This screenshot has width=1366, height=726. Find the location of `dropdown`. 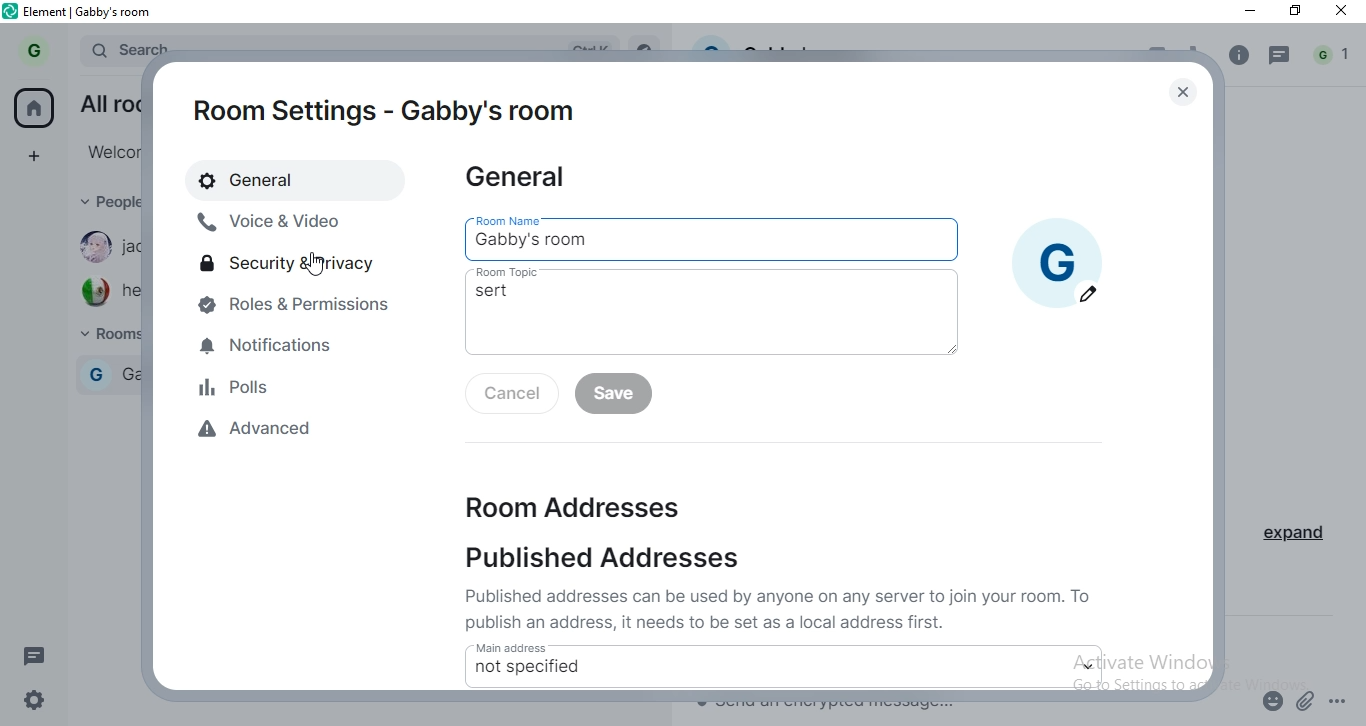

dropdown is located at coordinates (1086, 668).